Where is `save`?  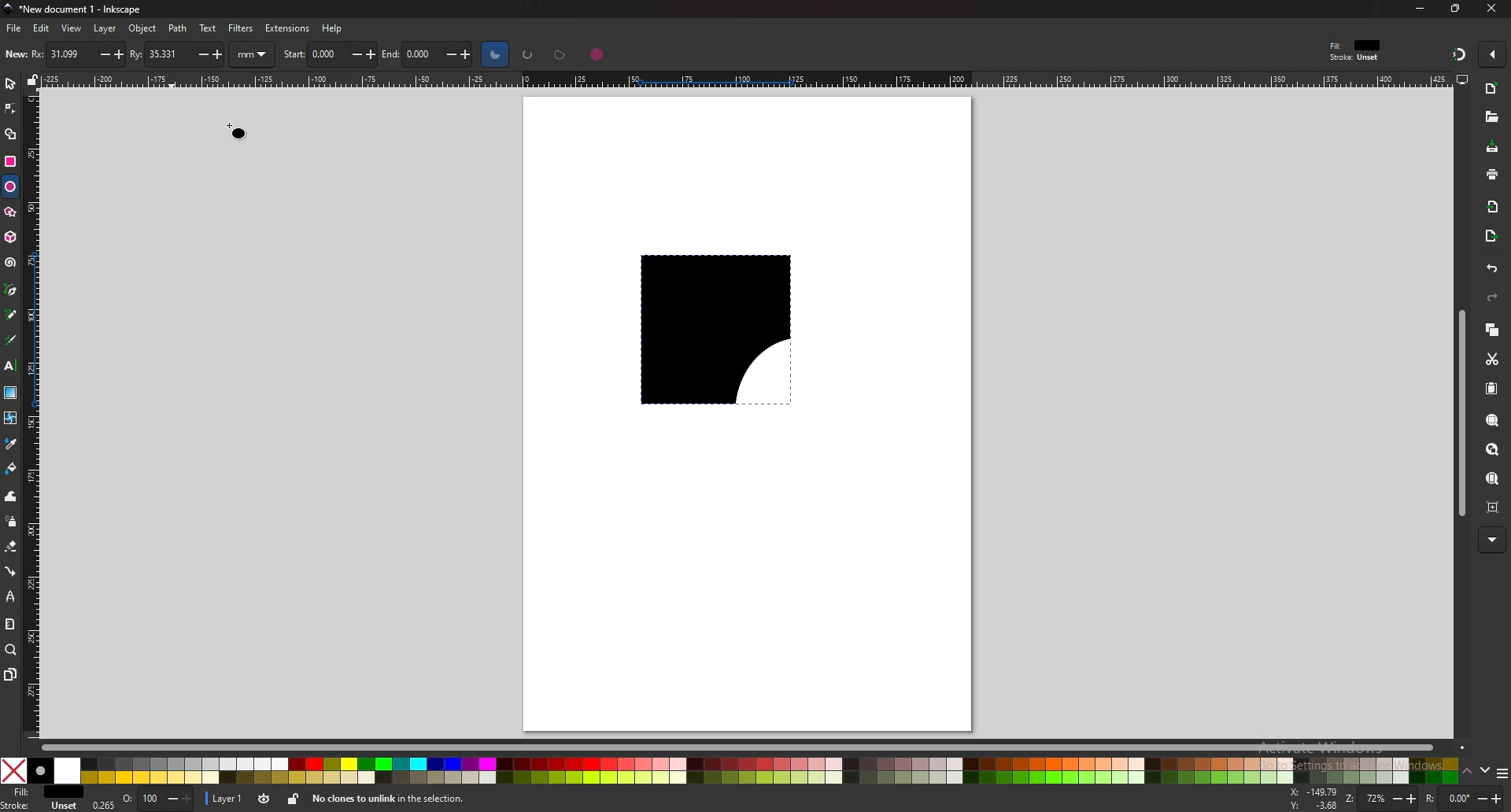 save is located at coordinates (1491, 146).